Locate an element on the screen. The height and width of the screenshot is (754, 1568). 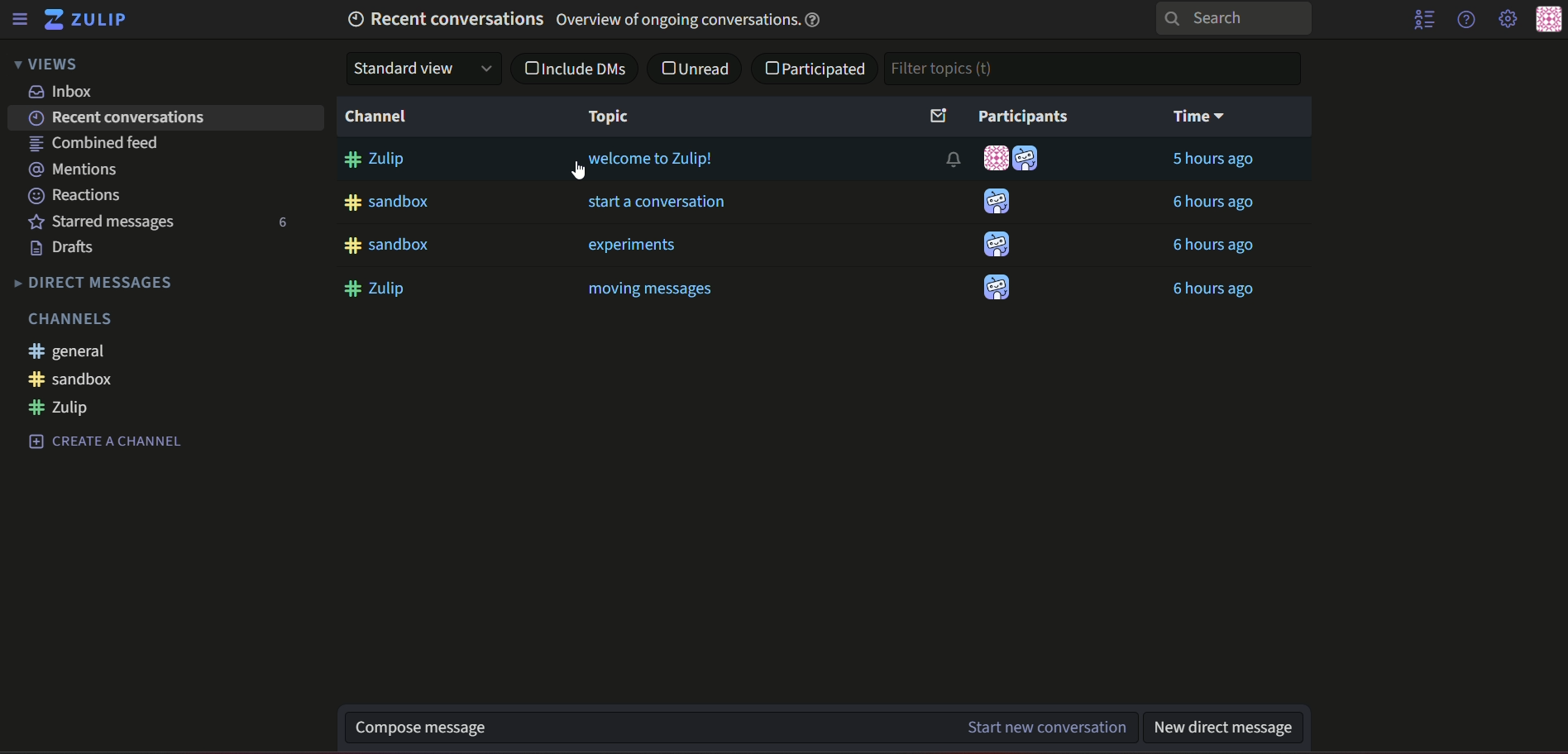
#Zulip is located at coordinates (377, 289).